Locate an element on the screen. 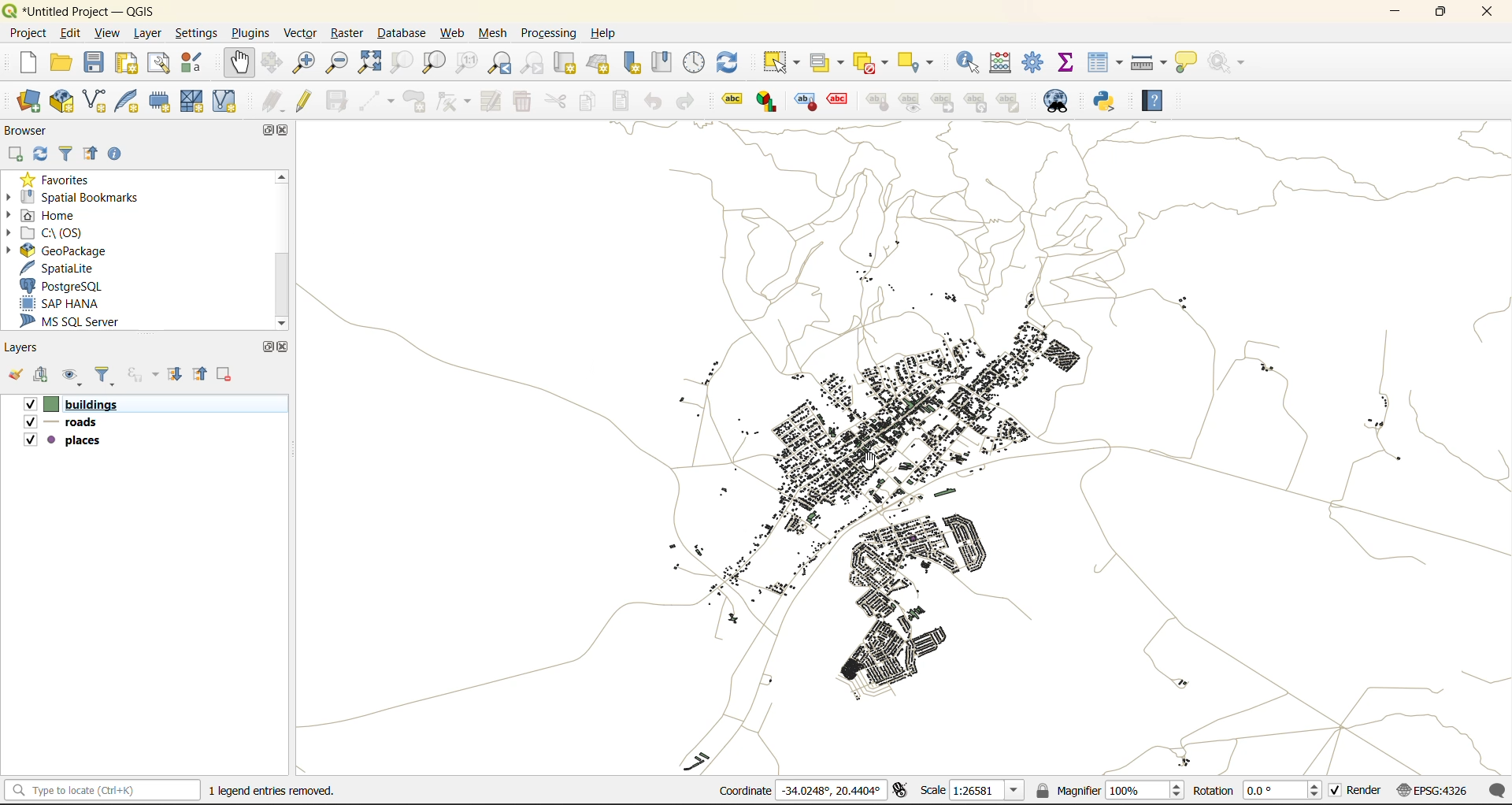  python is located at coordinates (1108, 101).